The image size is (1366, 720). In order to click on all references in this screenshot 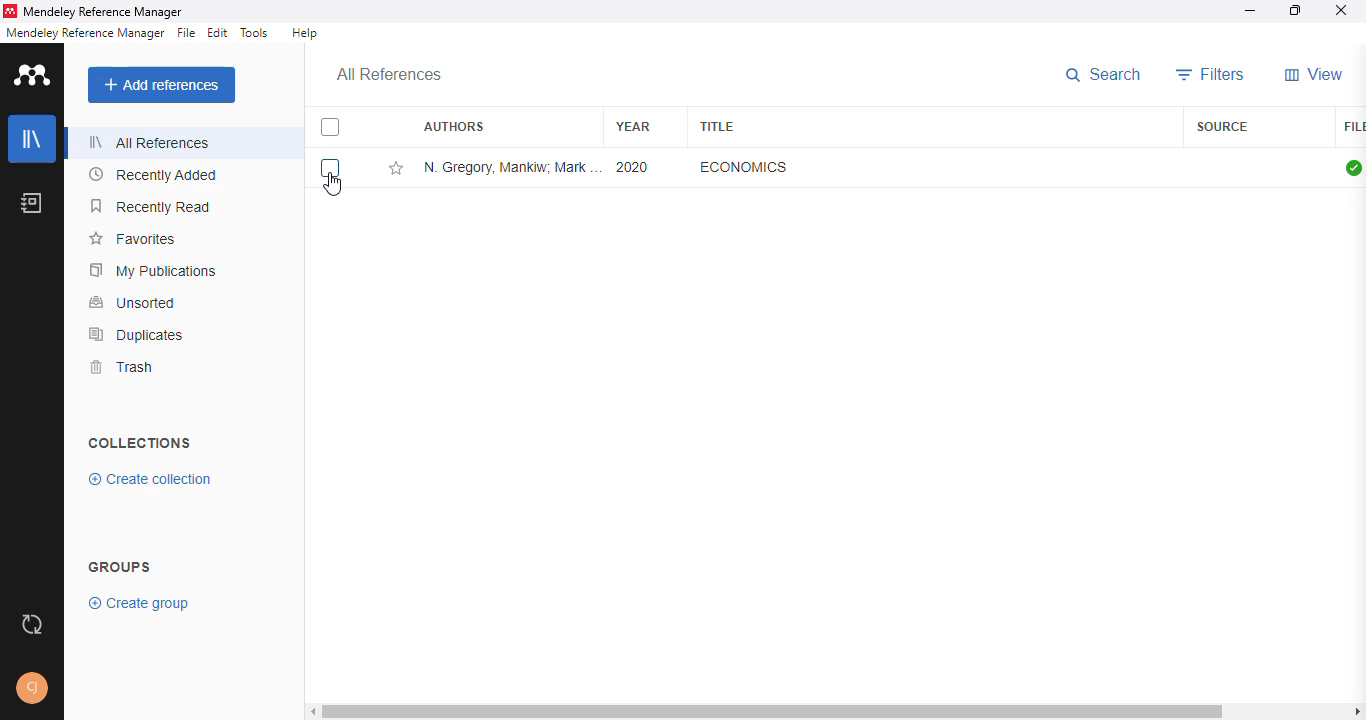, I will do `click(389, 74)`.